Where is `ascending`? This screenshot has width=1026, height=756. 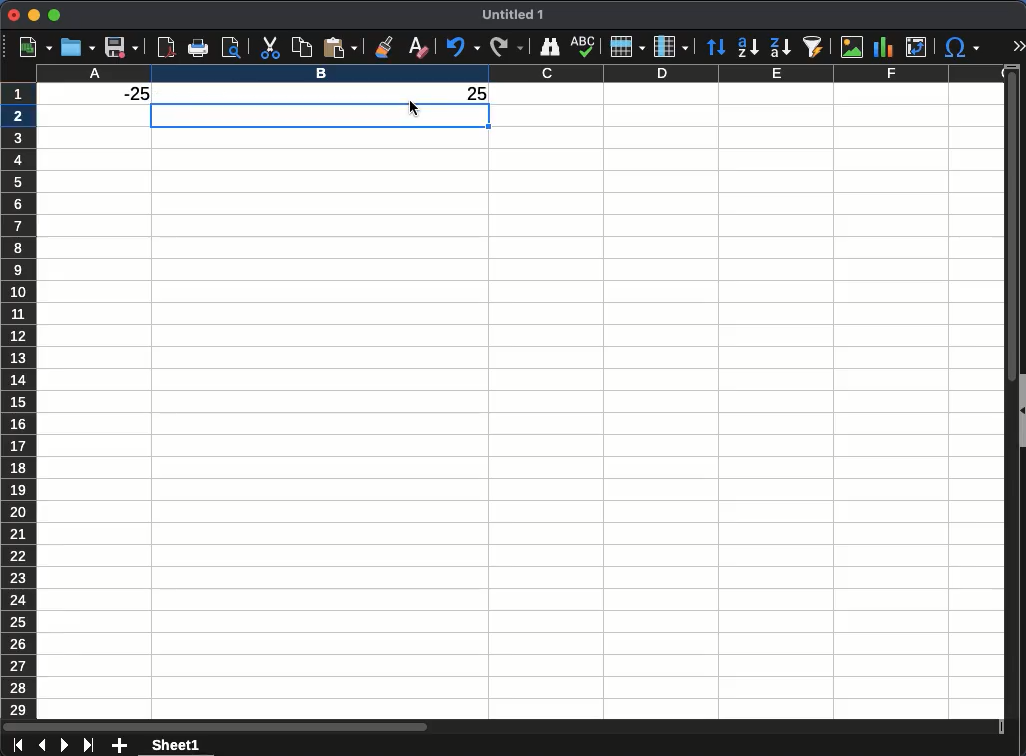 ascending is located at coordinates (748, 48).